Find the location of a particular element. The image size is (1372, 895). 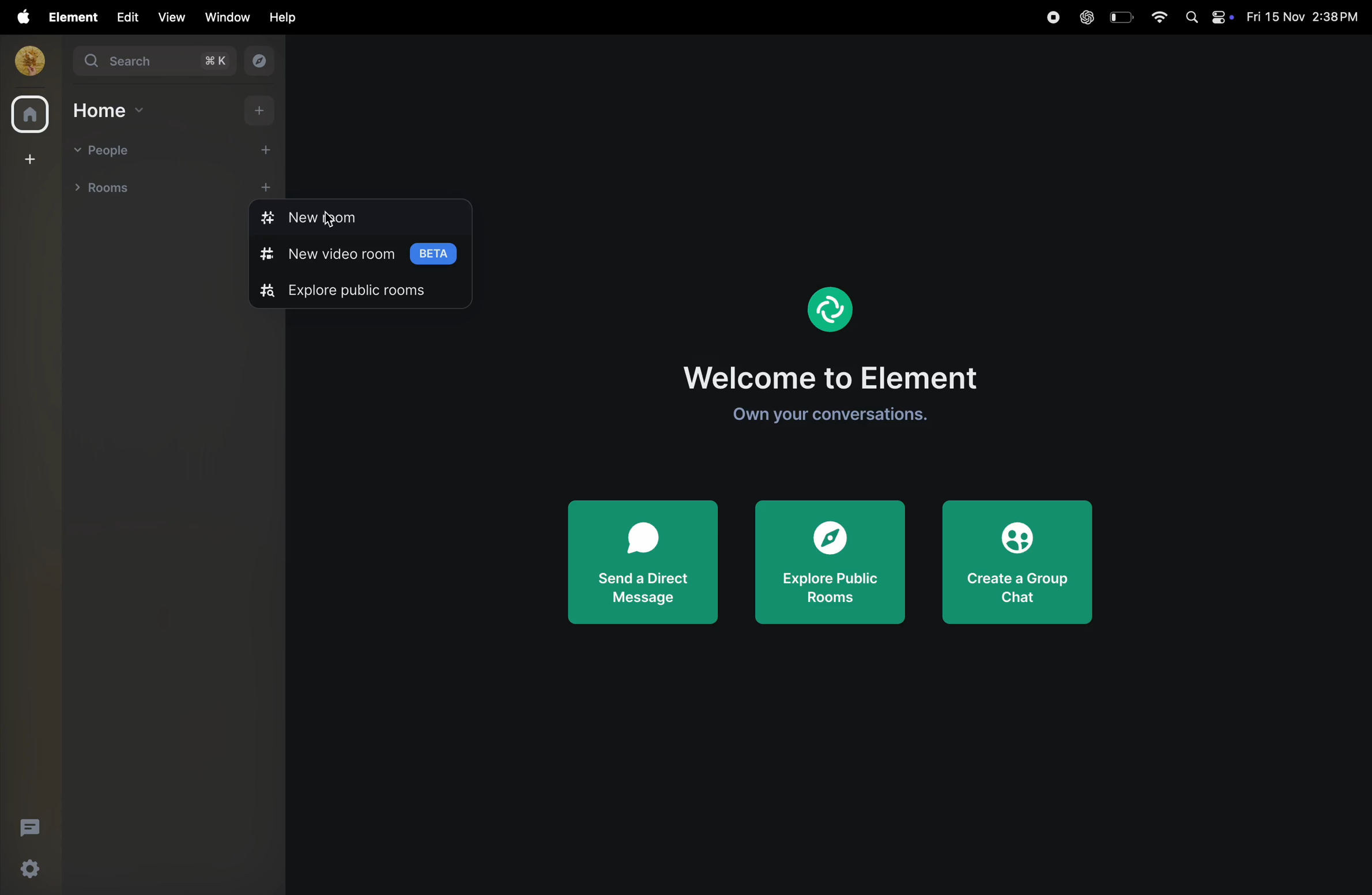

view is located at coordinates (170, 17).